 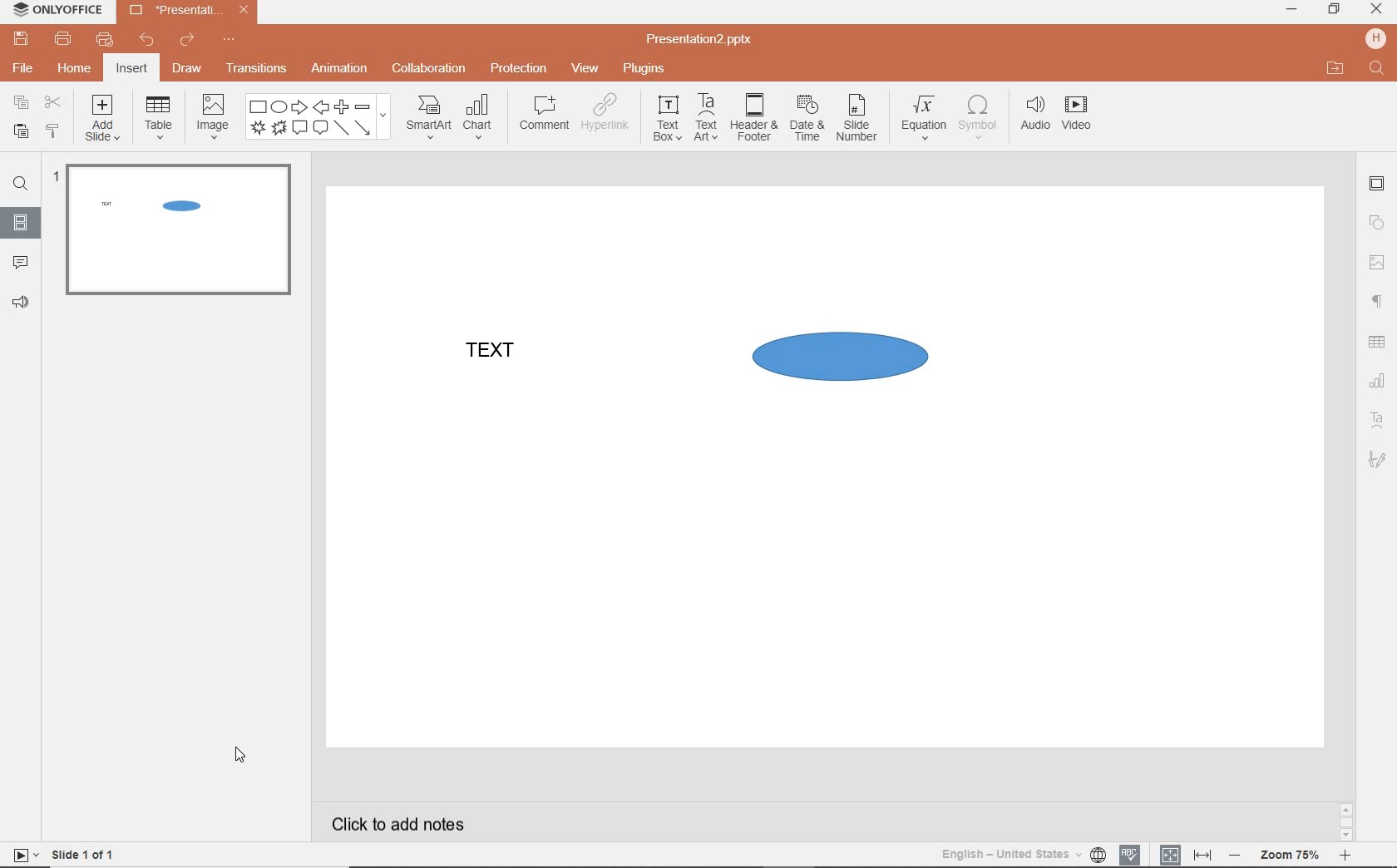 What do you see at coordinates (65, 854) in the screenshot?
I see `SLIDE 1 OF 1` at bounding box center [65, 854].